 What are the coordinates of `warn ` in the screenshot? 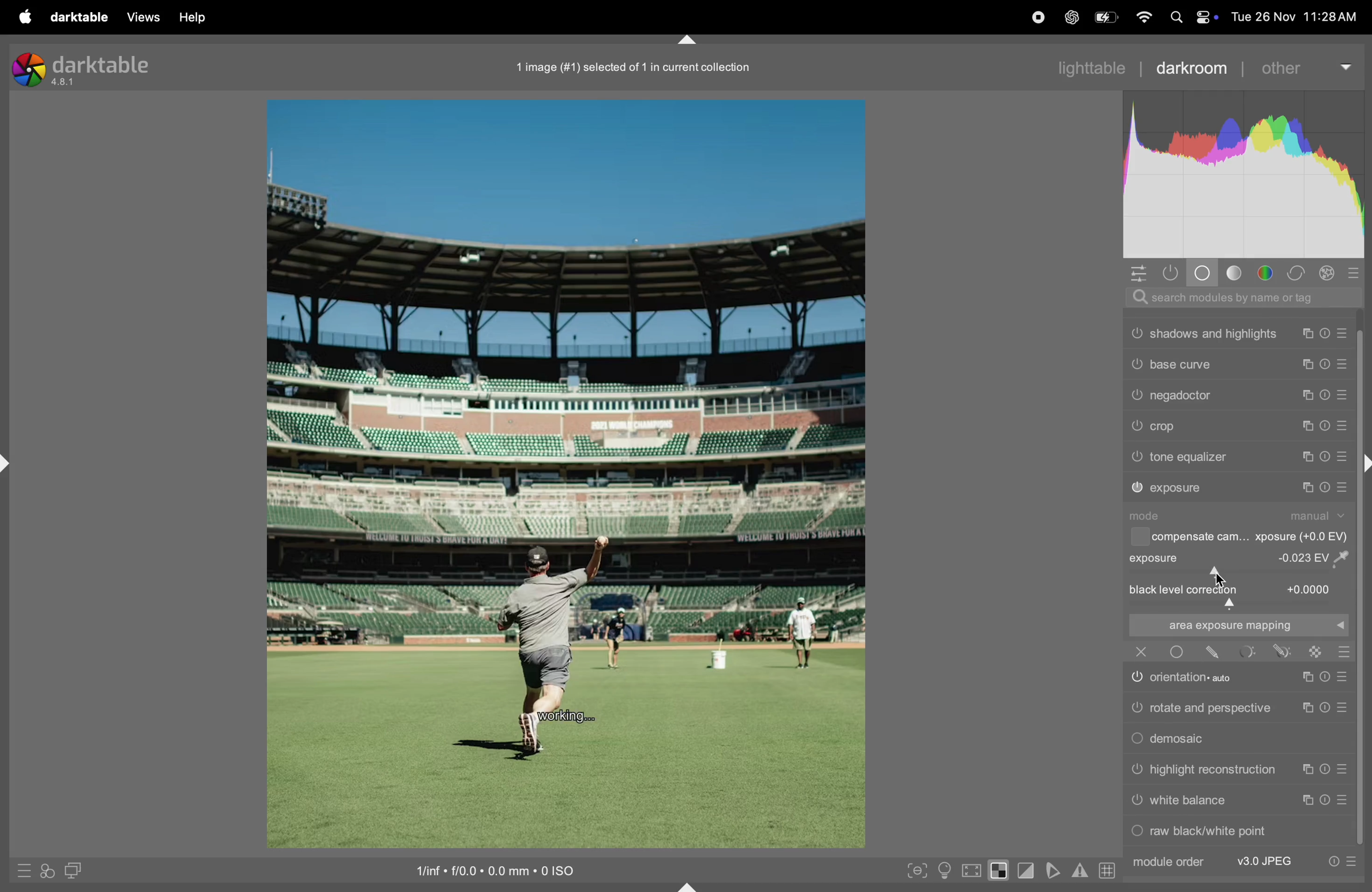 It's located at (1080, 871).